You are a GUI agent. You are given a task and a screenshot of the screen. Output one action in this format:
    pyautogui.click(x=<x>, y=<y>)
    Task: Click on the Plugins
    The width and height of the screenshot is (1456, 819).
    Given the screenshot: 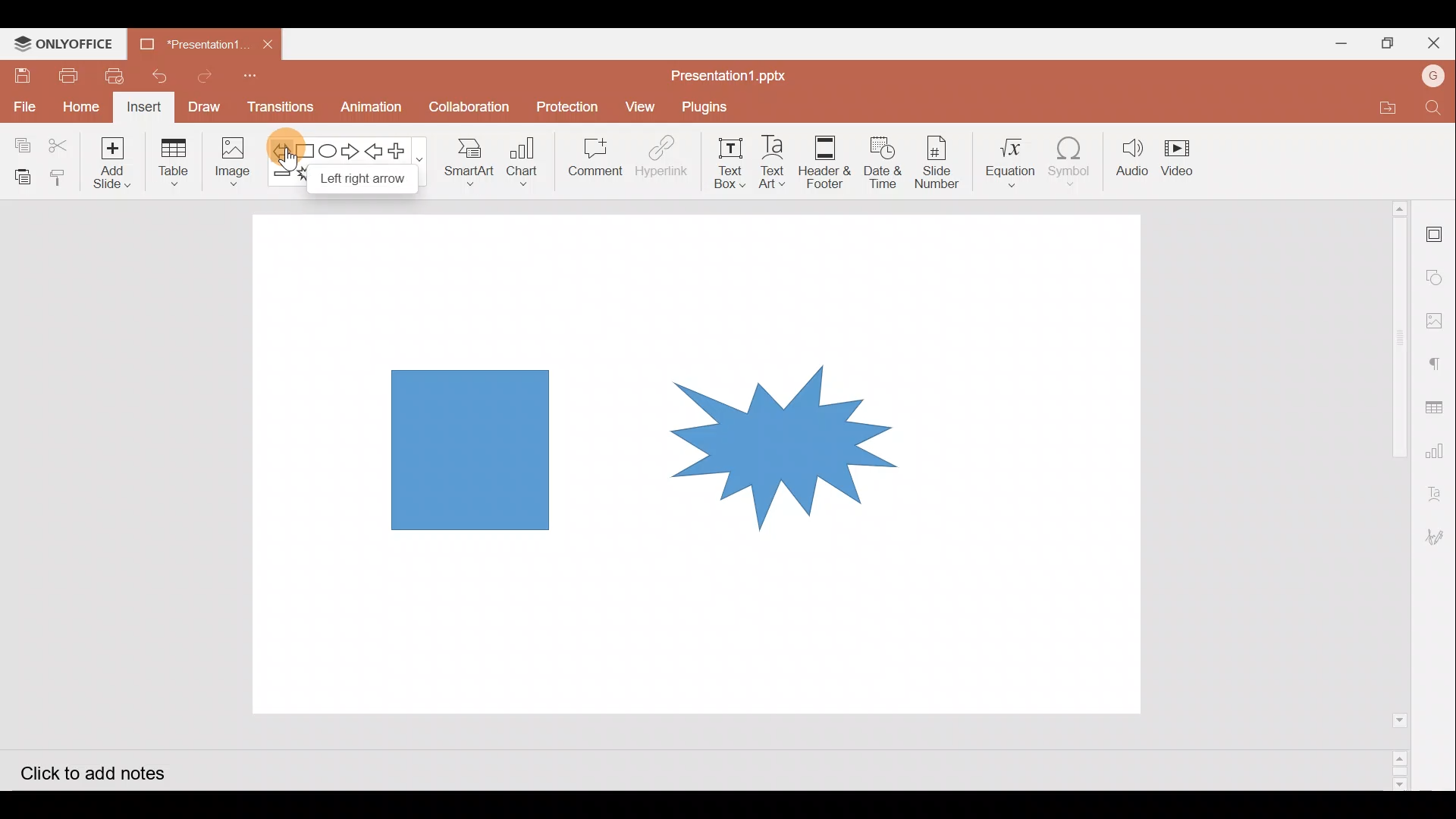 What is the action you would take?
    pyautogui.click(x=709, y=108)
    